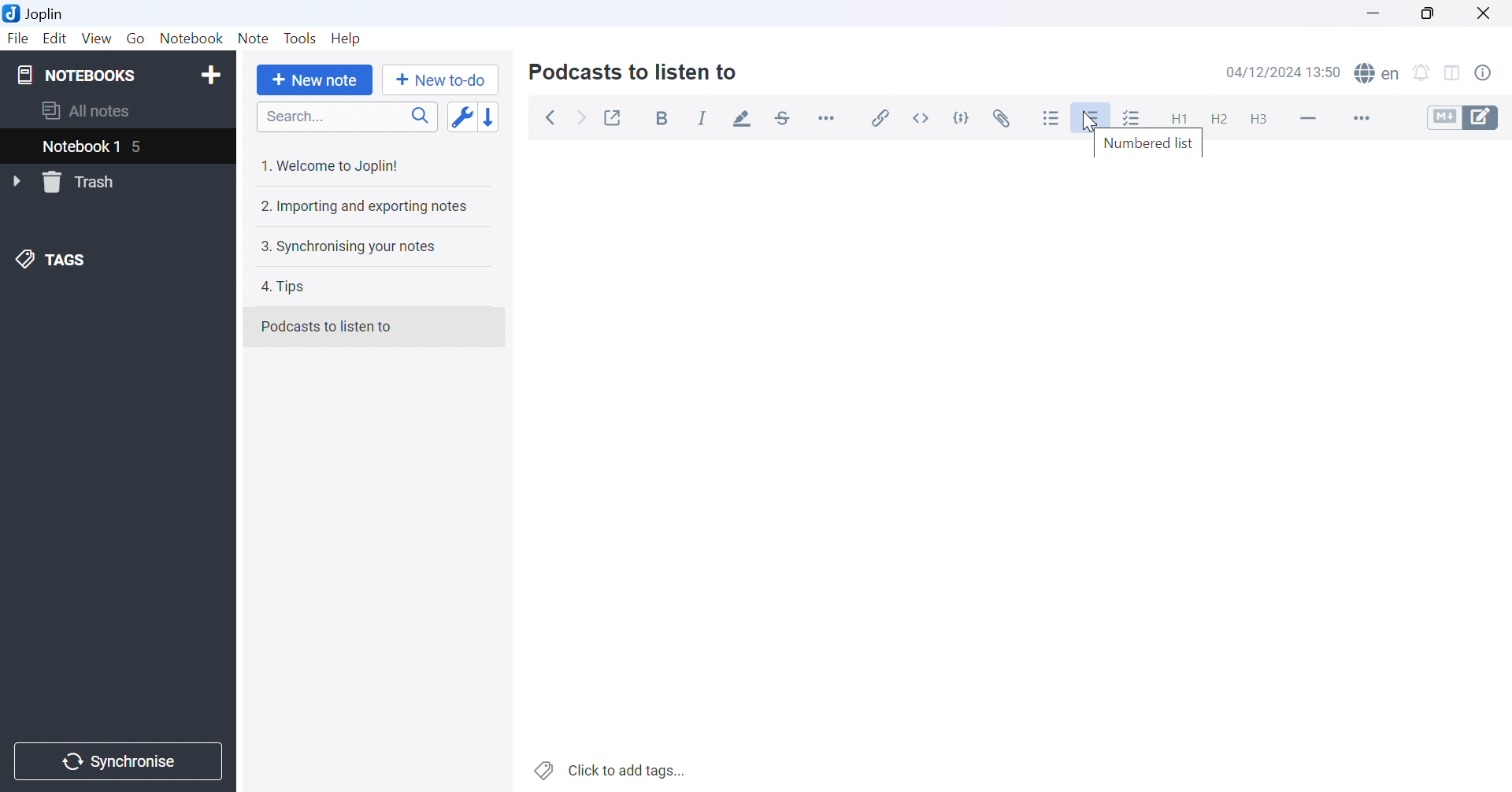 The height and width of the screenshot is (792, 1512). Describe the element at coordinates (254, 38) in the screenshot. I see `Note` at that location.